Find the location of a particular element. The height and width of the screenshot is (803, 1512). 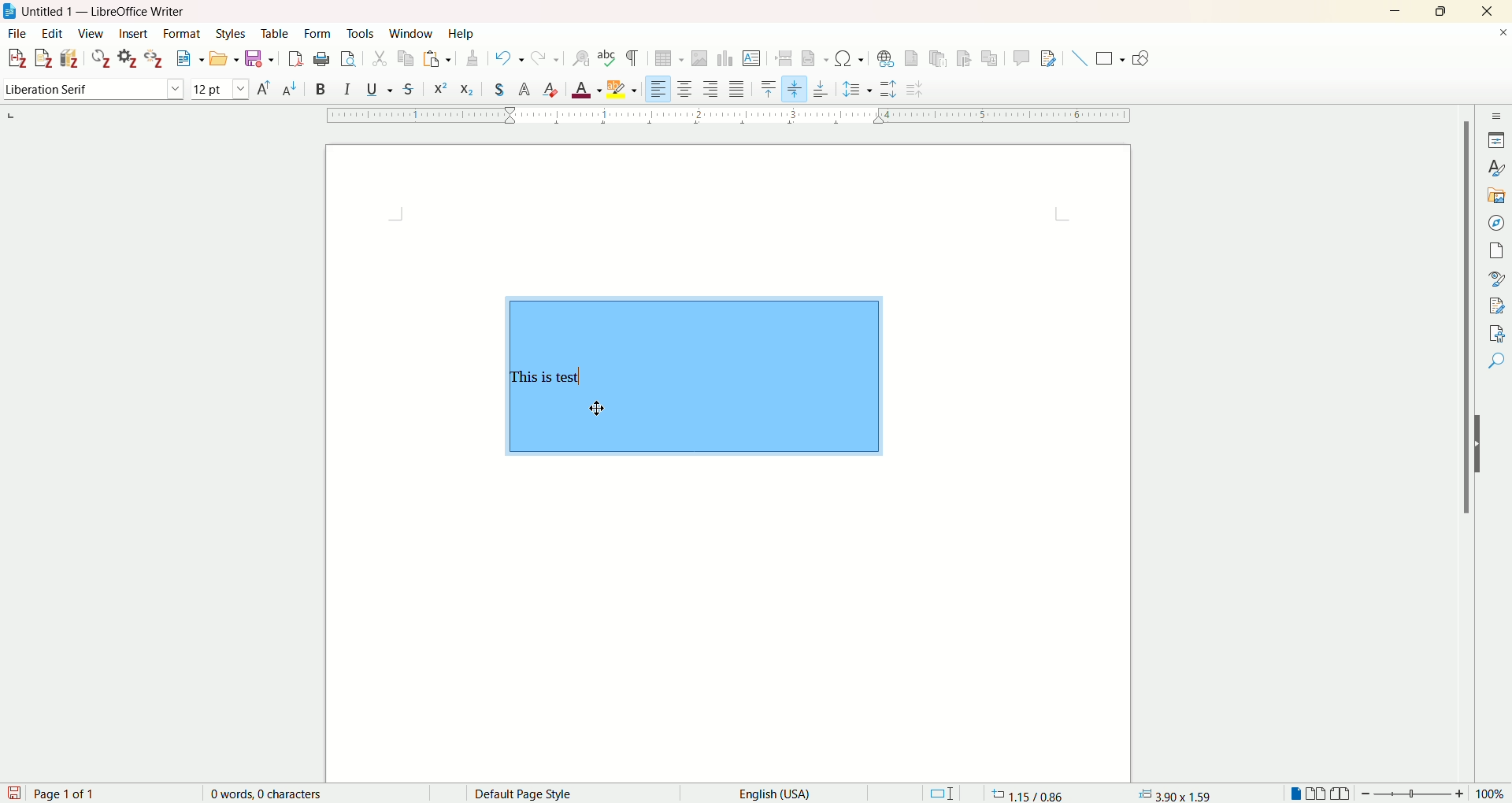

none is located at coordinates (59, 91).